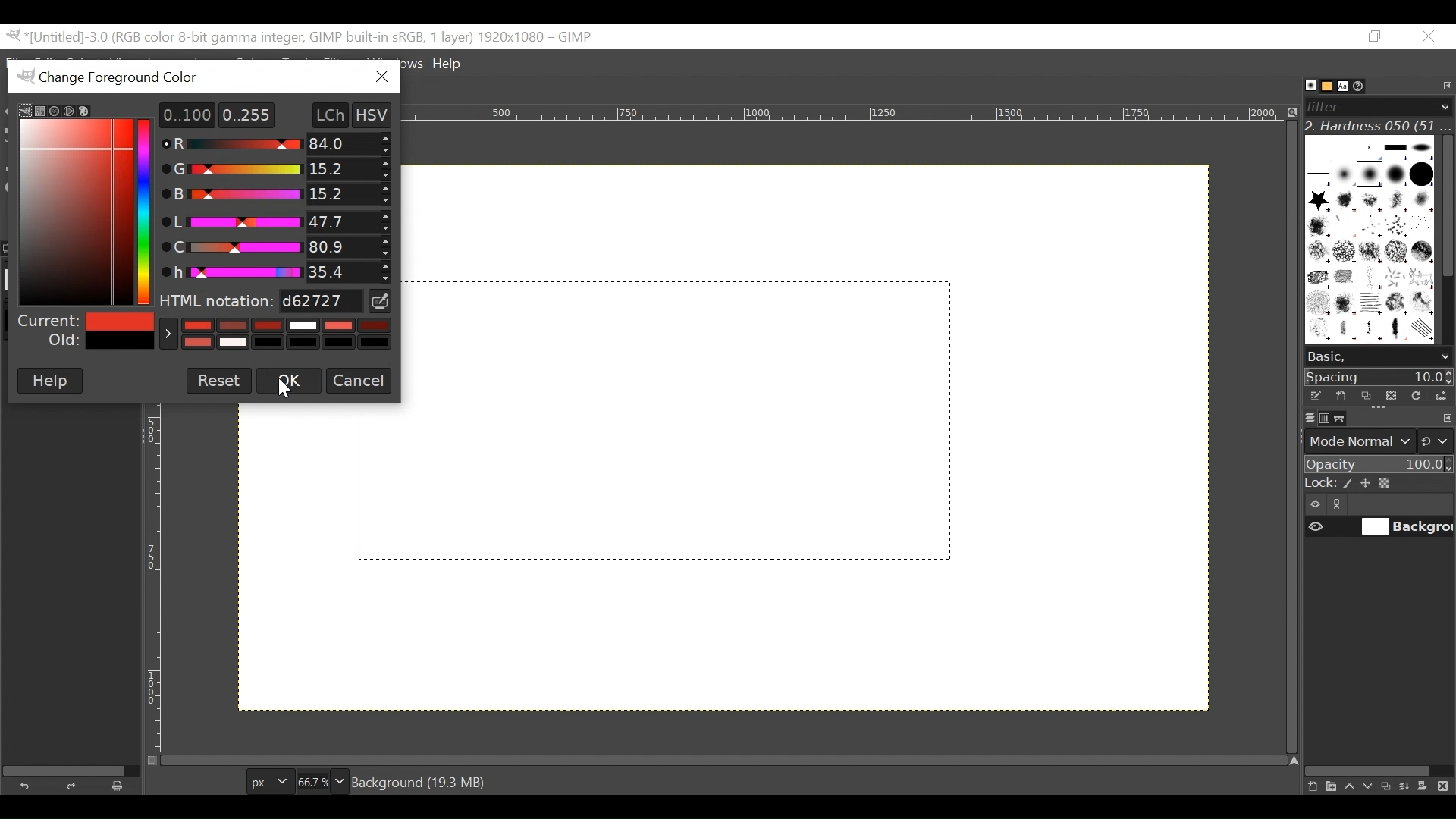 This screenshot has height=819, width=1456. Describe the element at coordinates (1379, 376) in the screenshot. I see `Spacing` at that location.